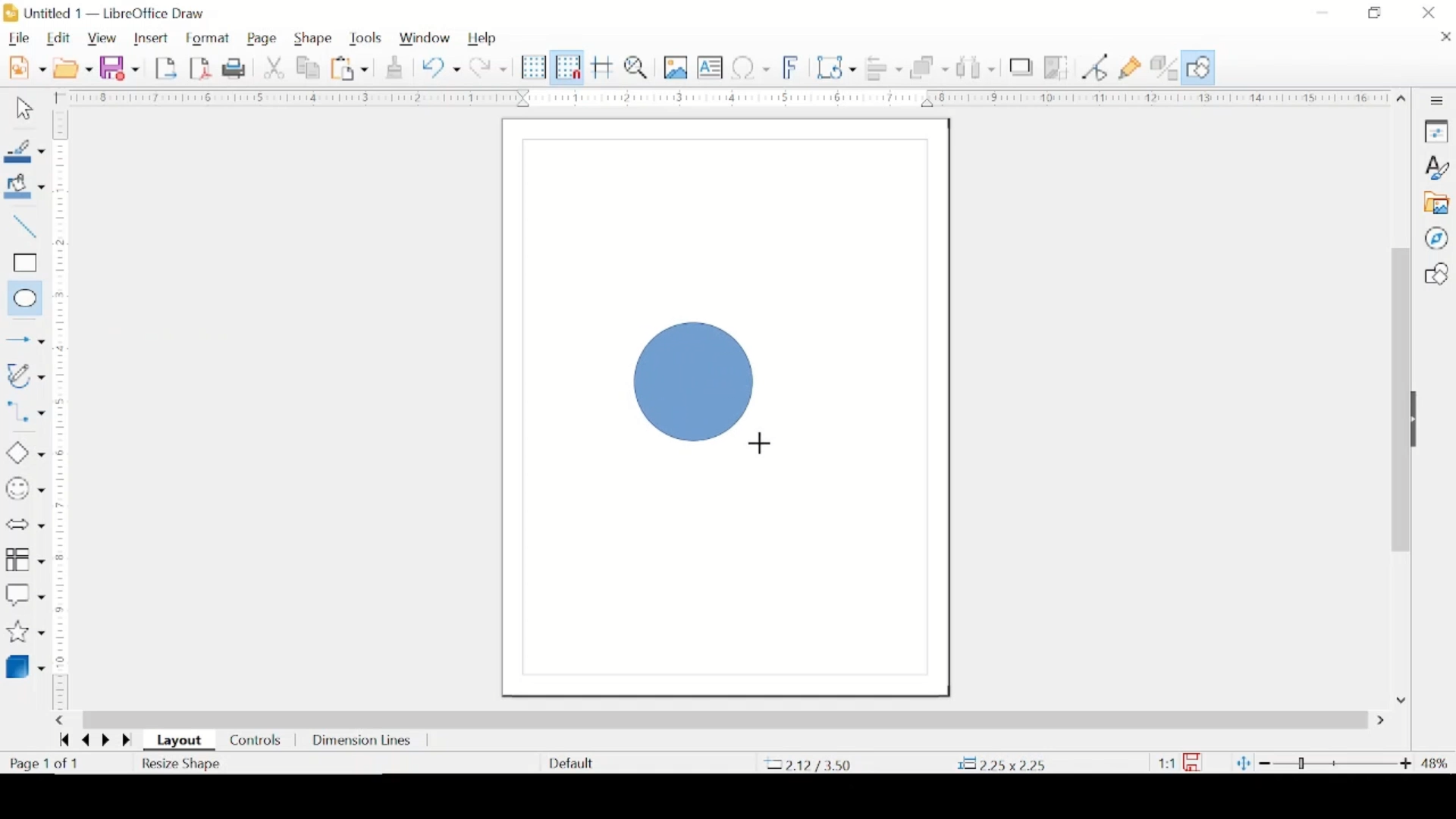 This screenshot has height=819, width=1456. What do you see at coordinates (315, 39) in the screenshot?
I see `shape` at bounding box center [315, 39].